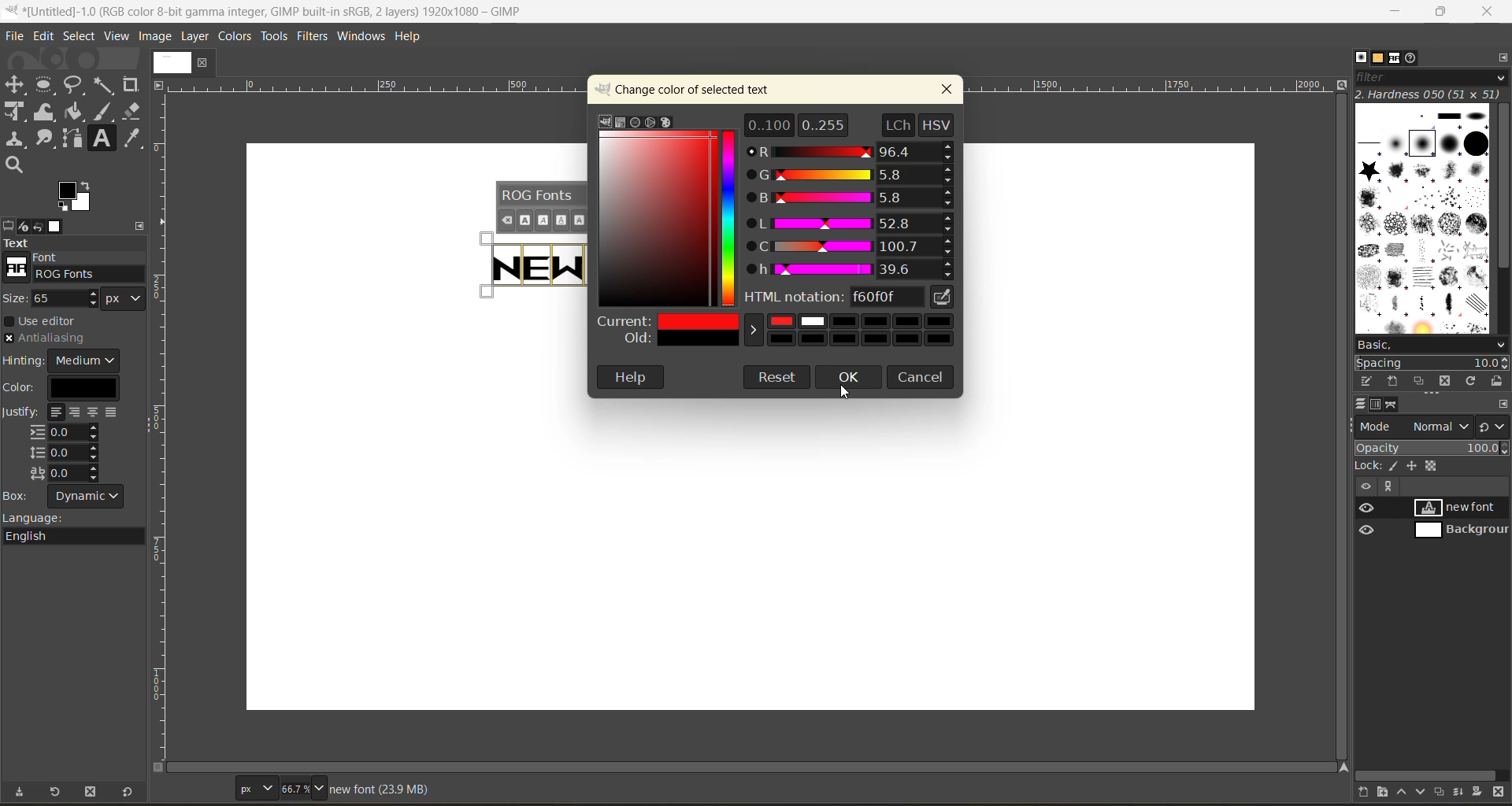 The image size is (1512, 806). What do you see at coordinates (1446, 12) in the screenshot?
I see `maximize` at bounding box center [1446, 12].